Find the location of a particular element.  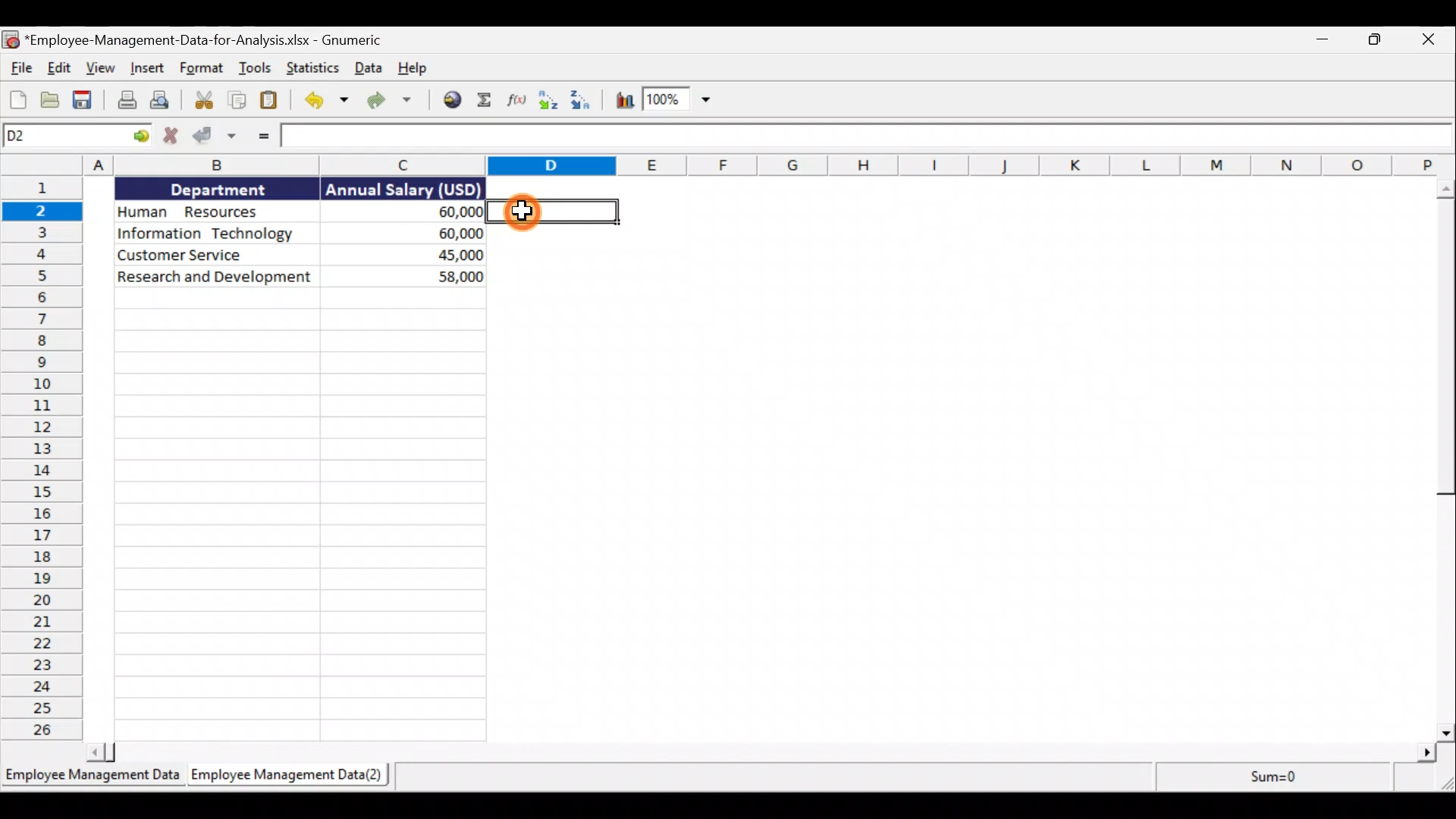

Tools is located at coordinates (258, 68).